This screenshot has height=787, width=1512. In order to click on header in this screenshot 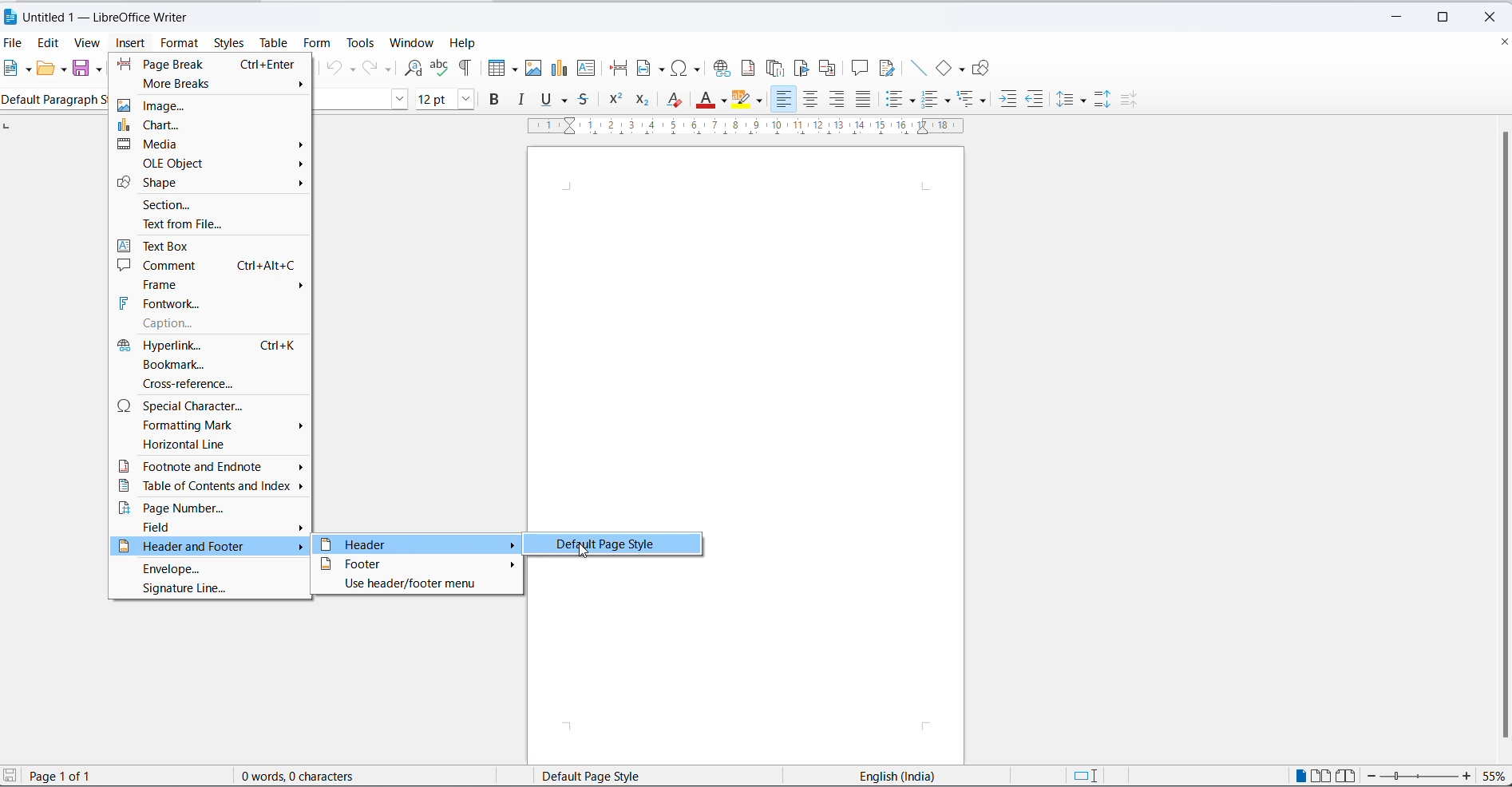, I will do `click(418, 543)`.